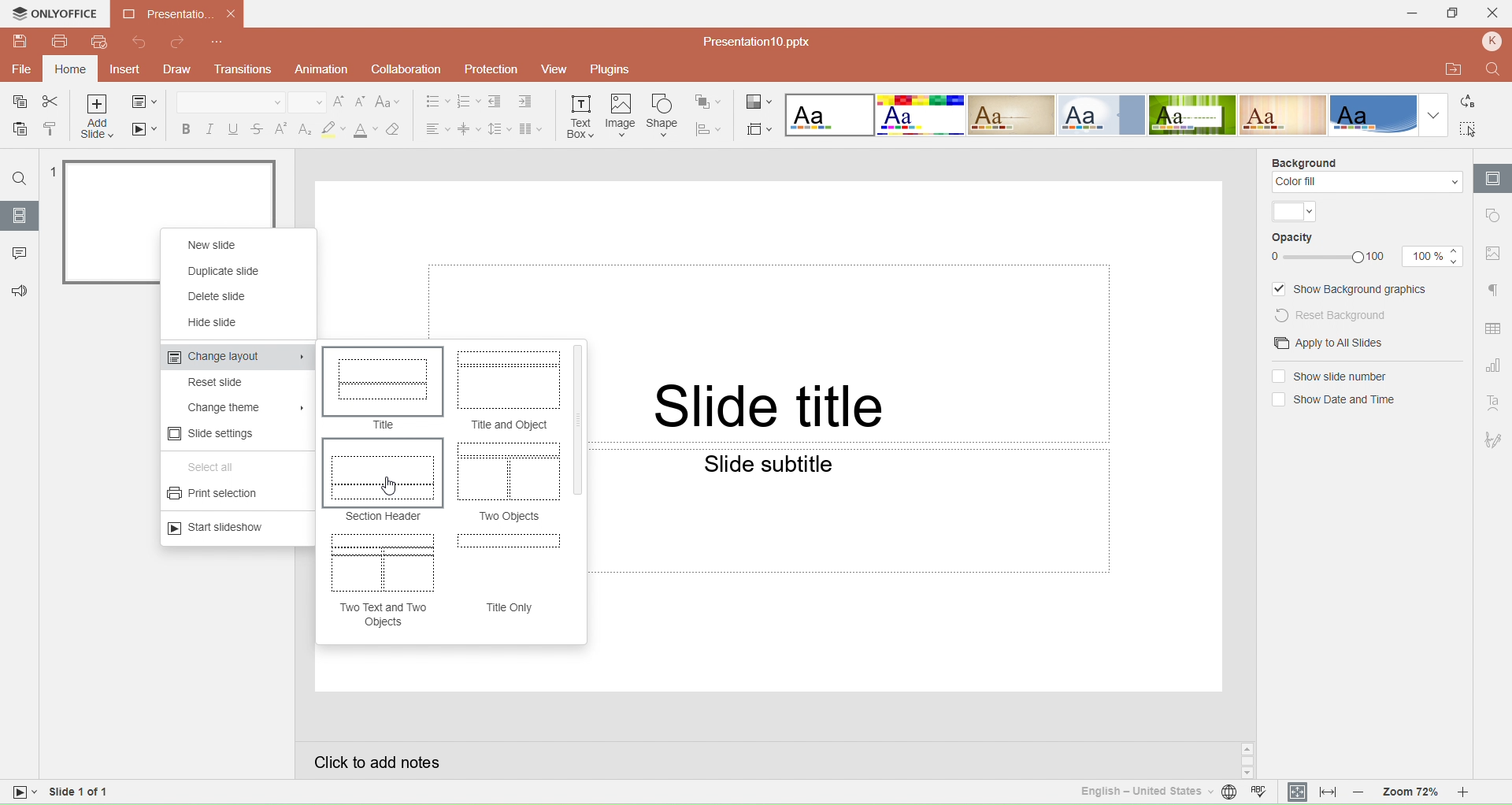 The width and height of the screenshot is (1512, 805). I want to click on Increase indent, so click(527, 103).